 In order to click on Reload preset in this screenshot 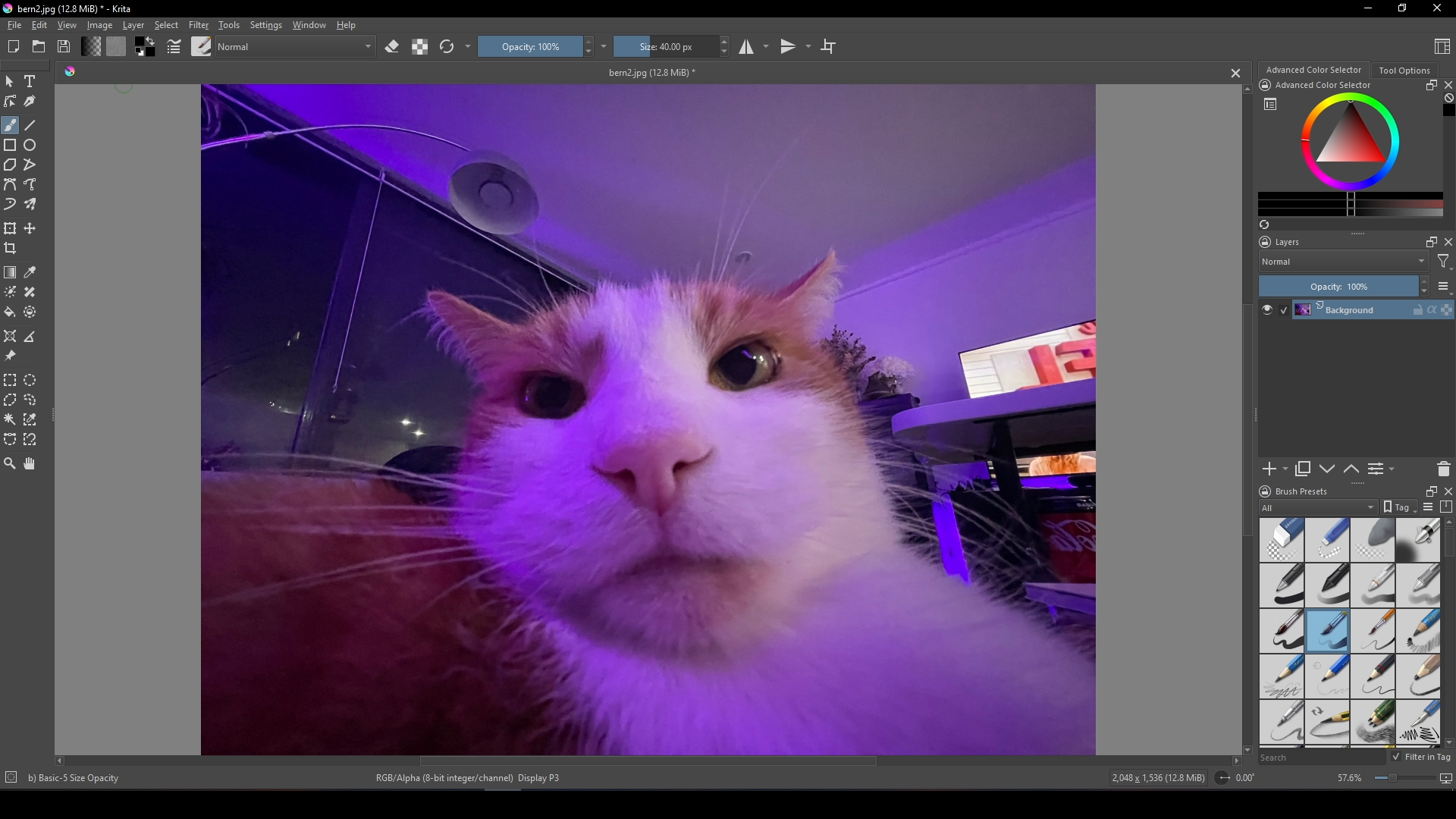, I will do `click(447, 47)`.